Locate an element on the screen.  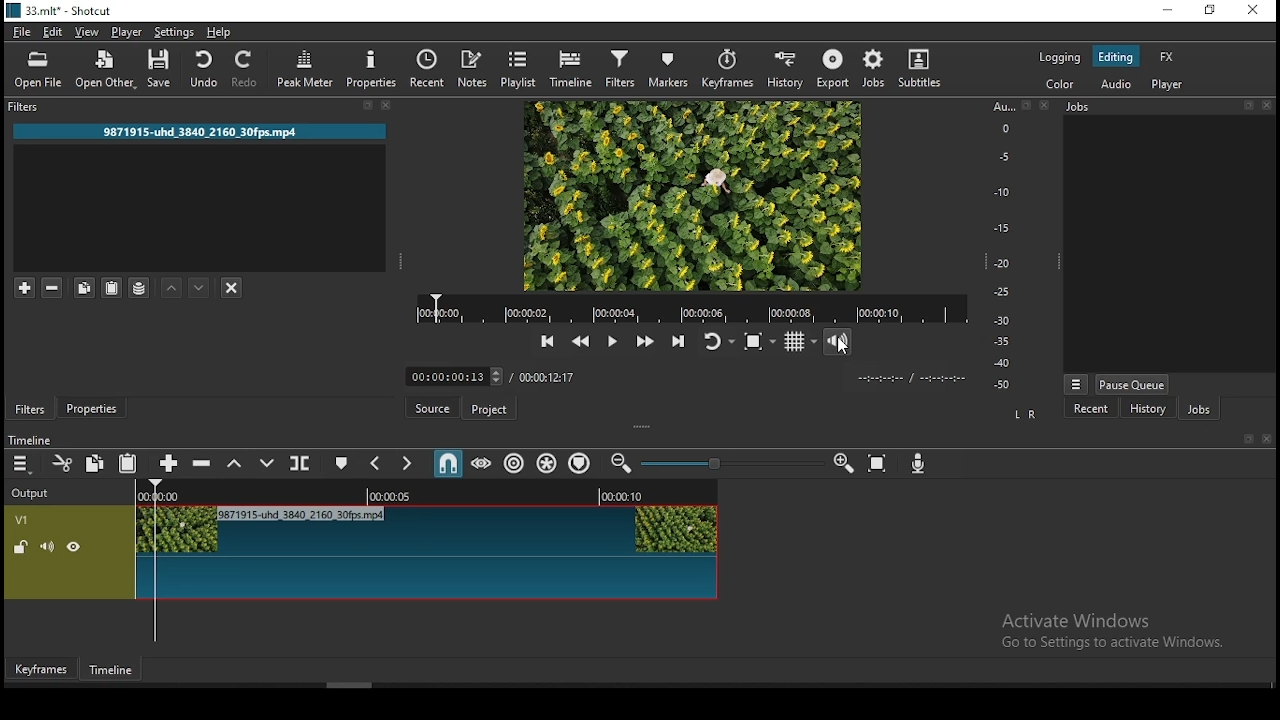
filters is located at coordinates (26, 109).